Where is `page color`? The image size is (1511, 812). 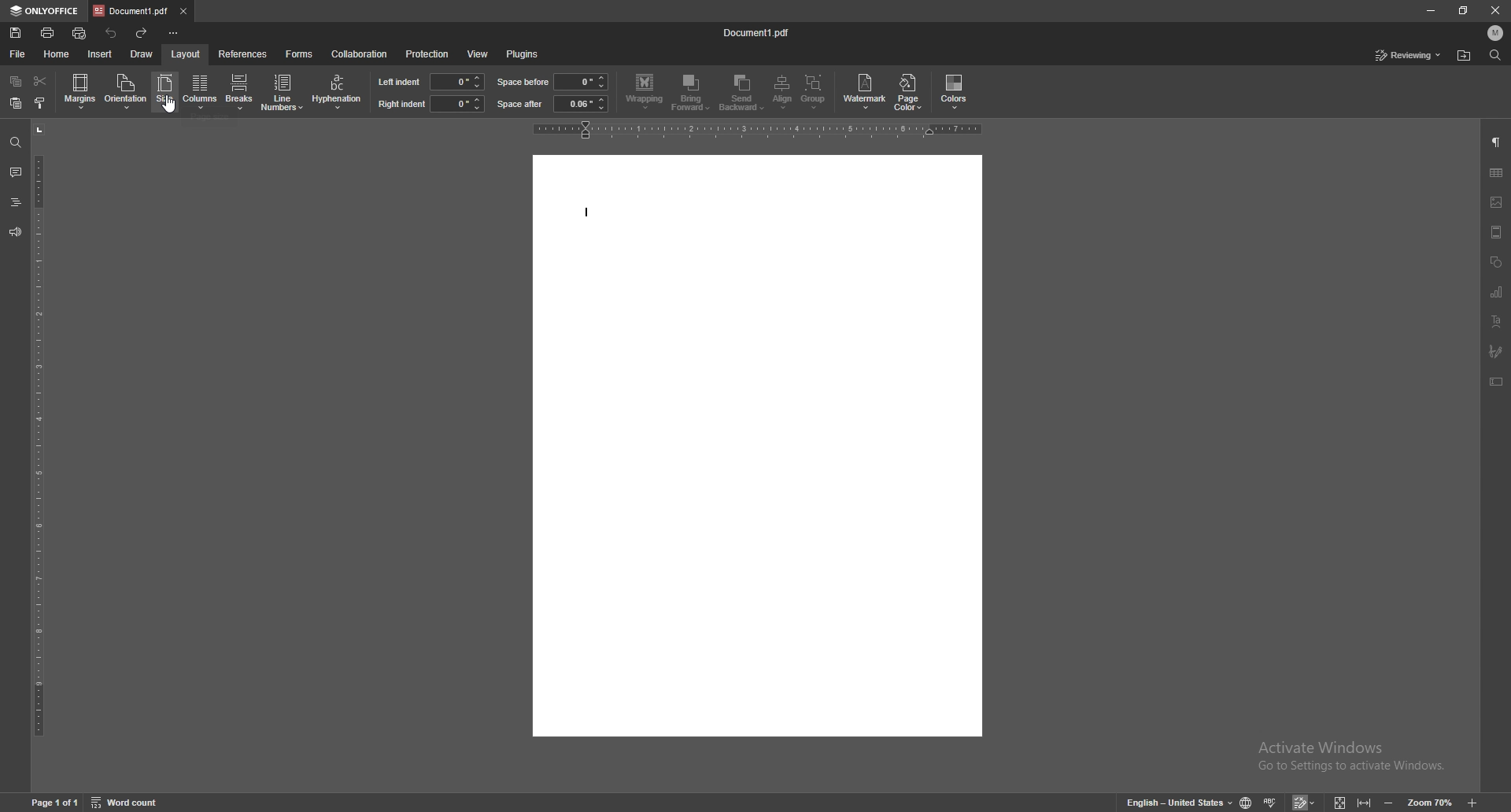 page color is located at coordinates (911, 91).